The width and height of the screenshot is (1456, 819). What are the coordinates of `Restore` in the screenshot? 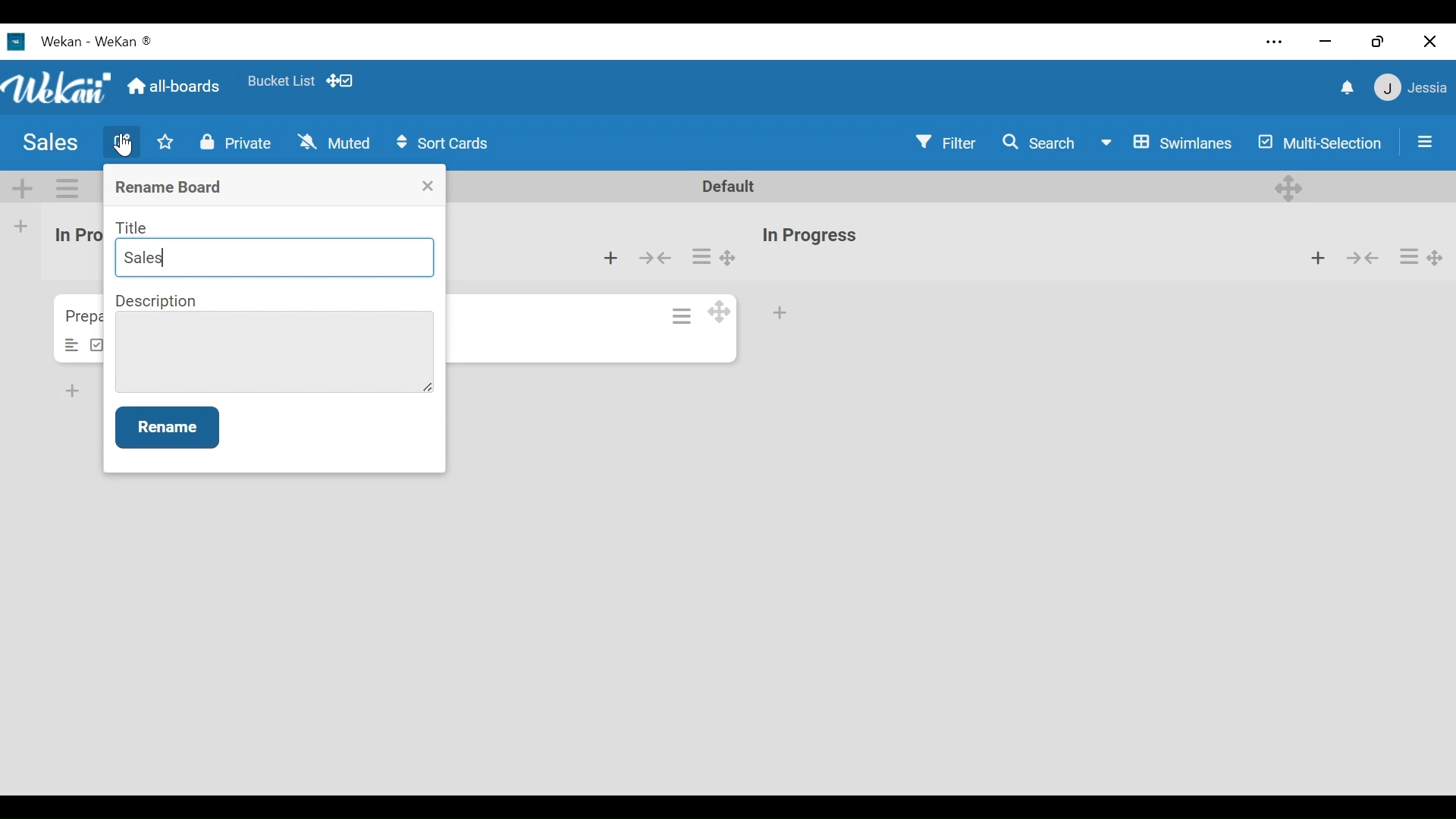 It's located at (1382, 40).